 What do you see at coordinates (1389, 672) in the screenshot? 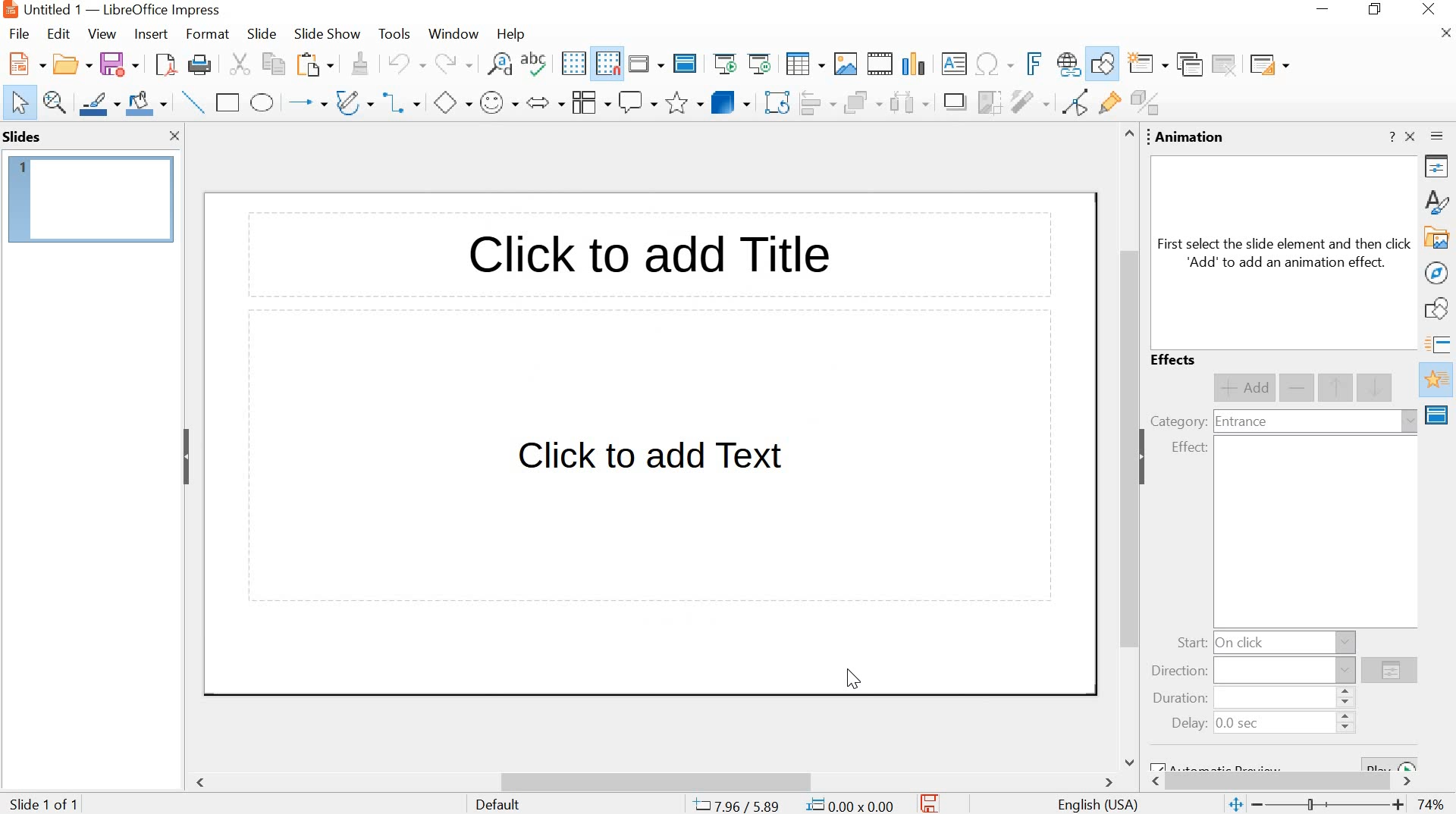
I see `options` at bounding box center [1389, 672].